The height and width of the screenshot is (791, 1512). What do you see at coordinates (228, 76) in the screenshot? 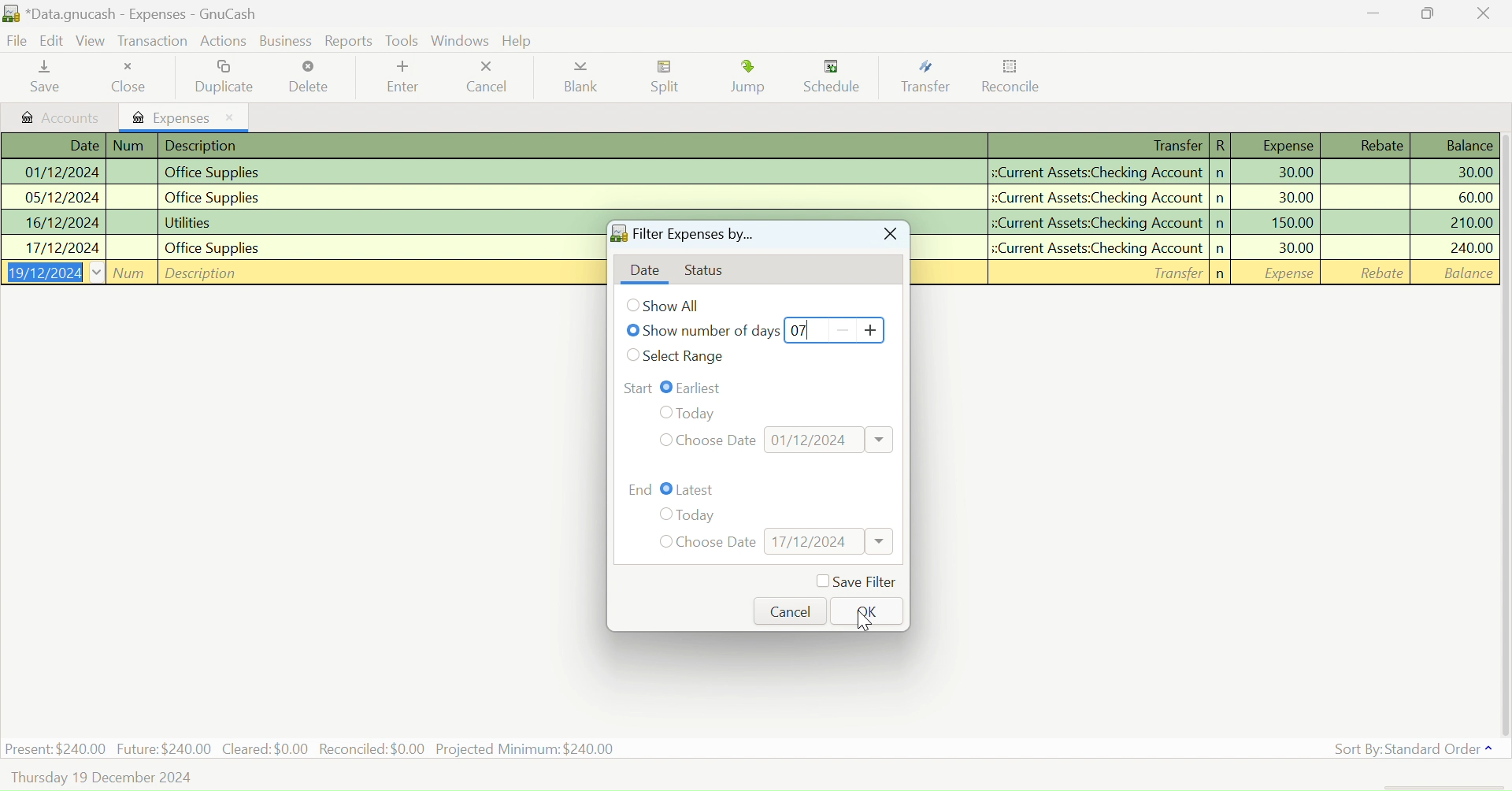
I see `Duplicate` at bounding box center [228, 76].